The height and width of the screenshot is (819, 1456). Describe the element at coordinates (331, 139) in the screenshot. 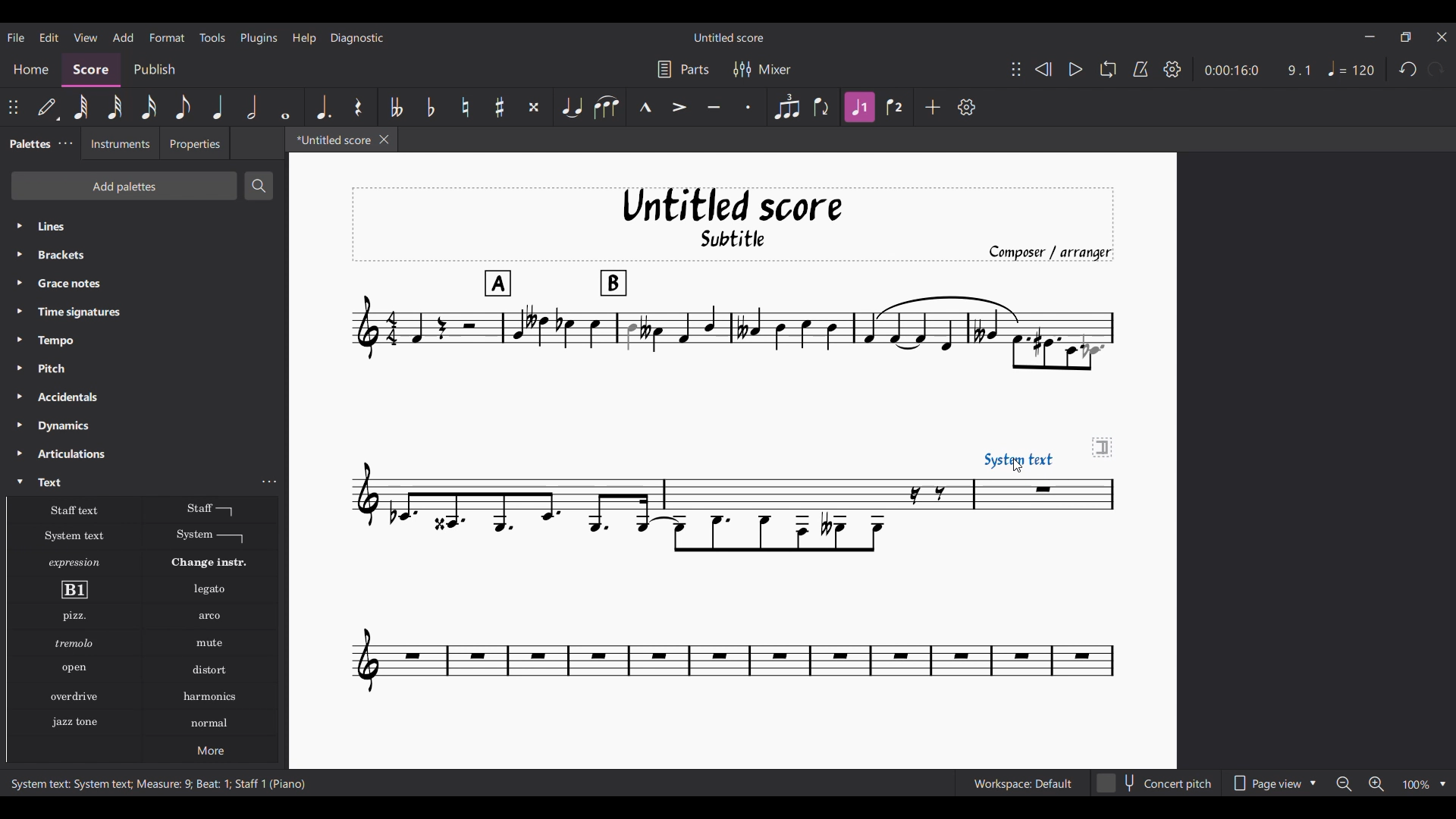

I see `*Untitled score, current tab` at that location.